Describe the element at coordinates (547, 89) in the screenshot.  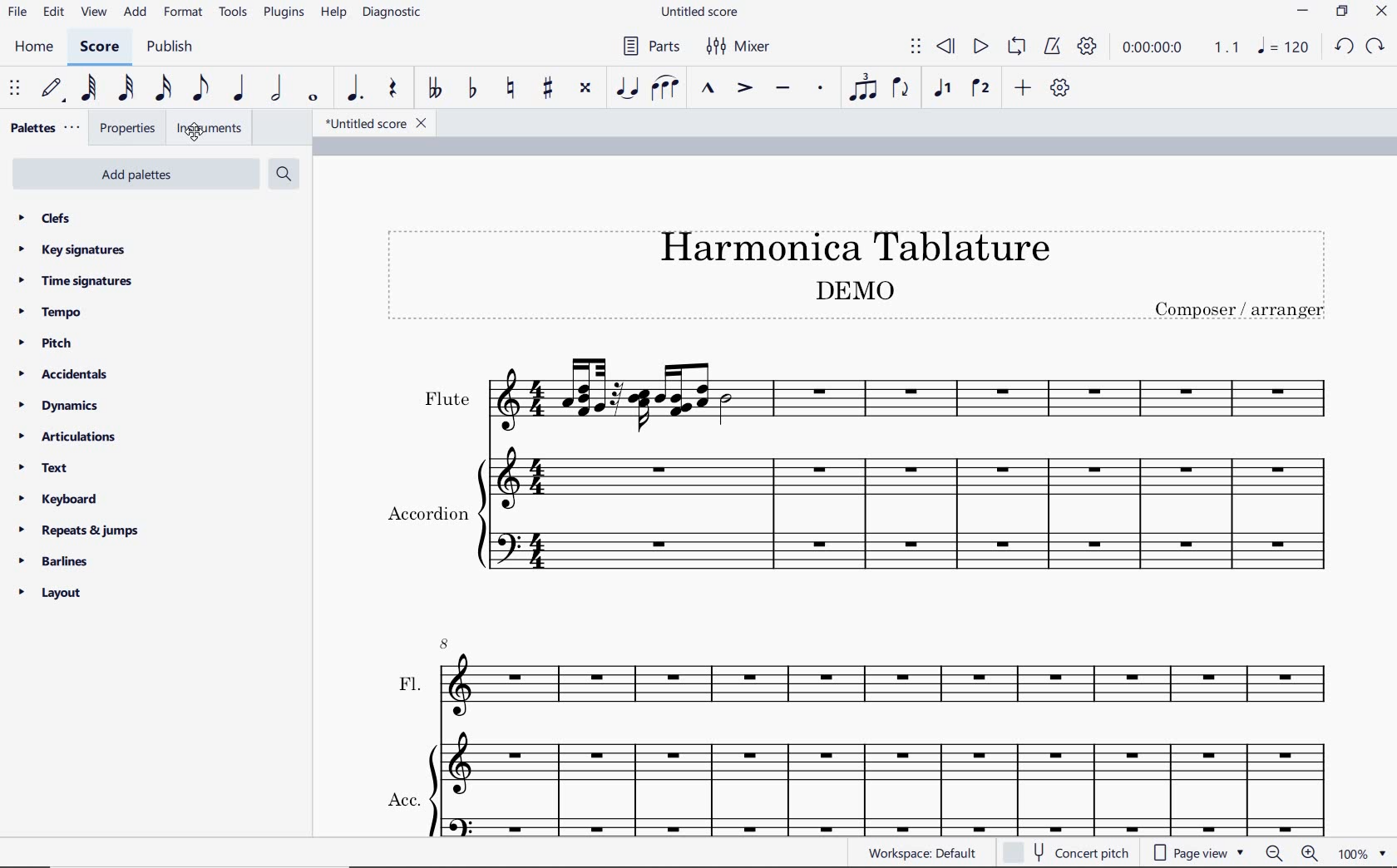
I see `toggle sharp` at that location.